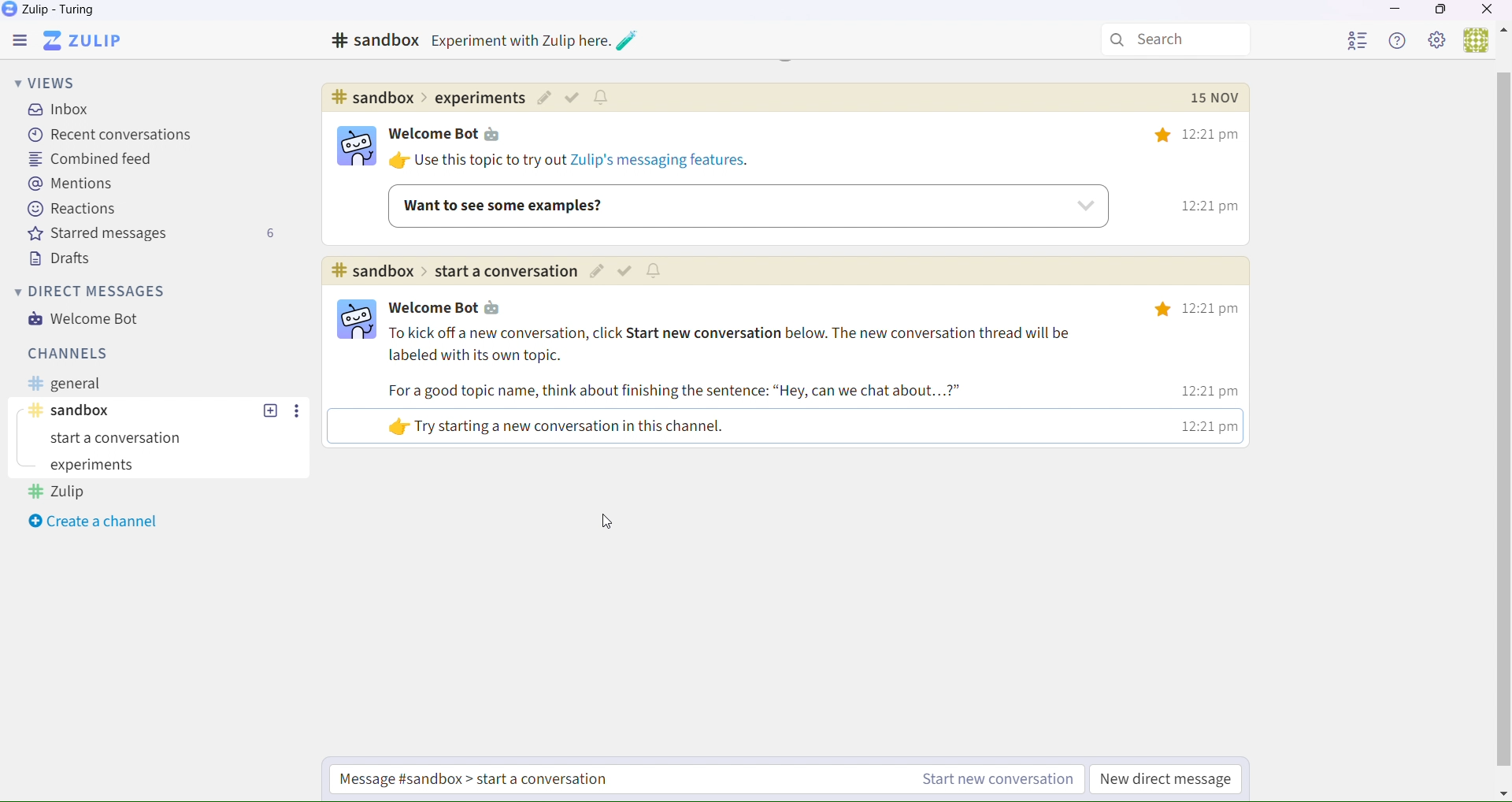 The image size is (1512, 802). I want to click on Want to see some example, so click(746, 205).